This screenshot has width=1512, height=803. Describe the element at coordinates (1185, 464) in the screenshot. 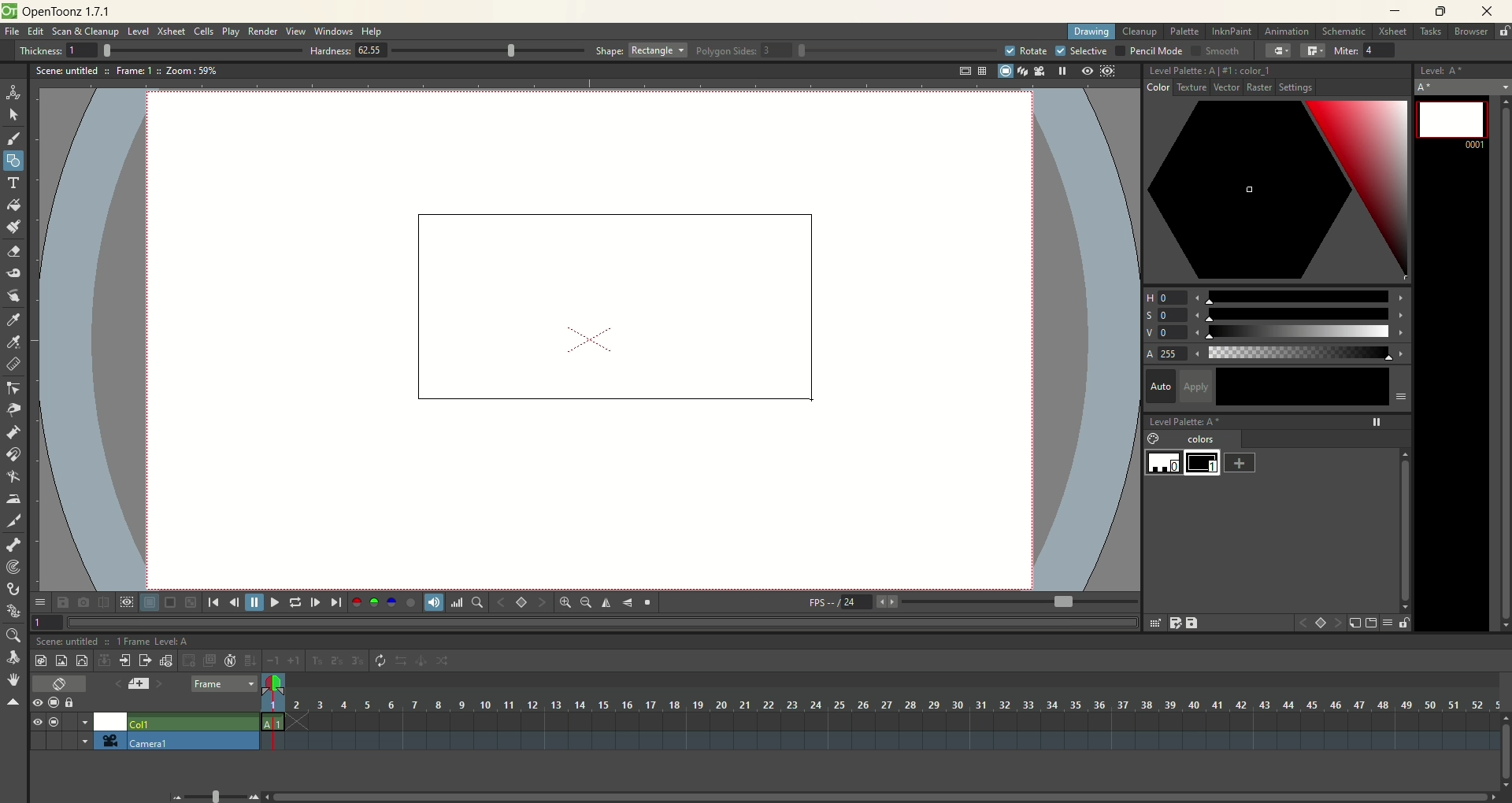

I see `color 0 and 1` at that location.